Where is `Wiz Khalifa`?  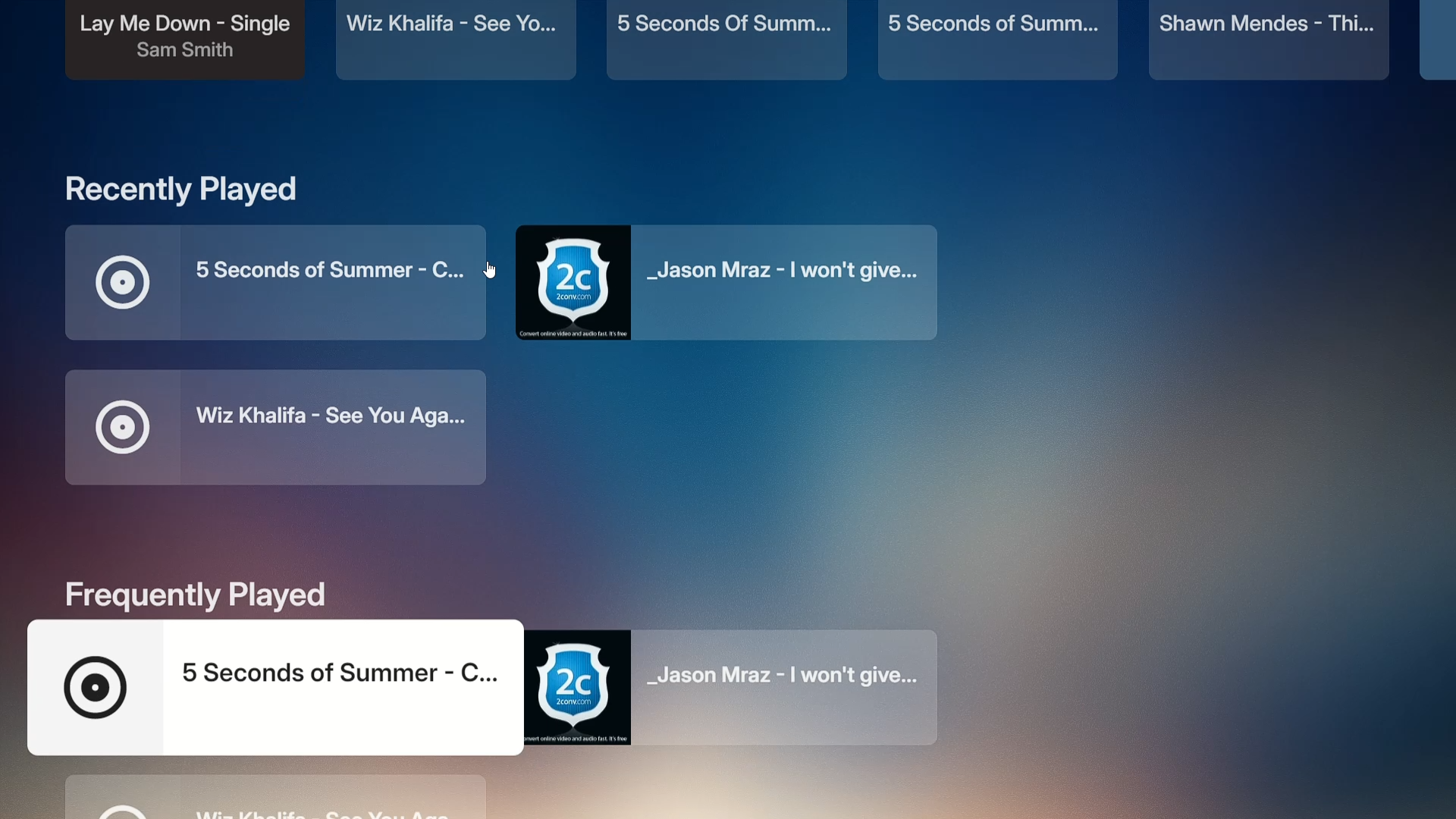
Wiz Khalifa is located at coordinates (455, 39).